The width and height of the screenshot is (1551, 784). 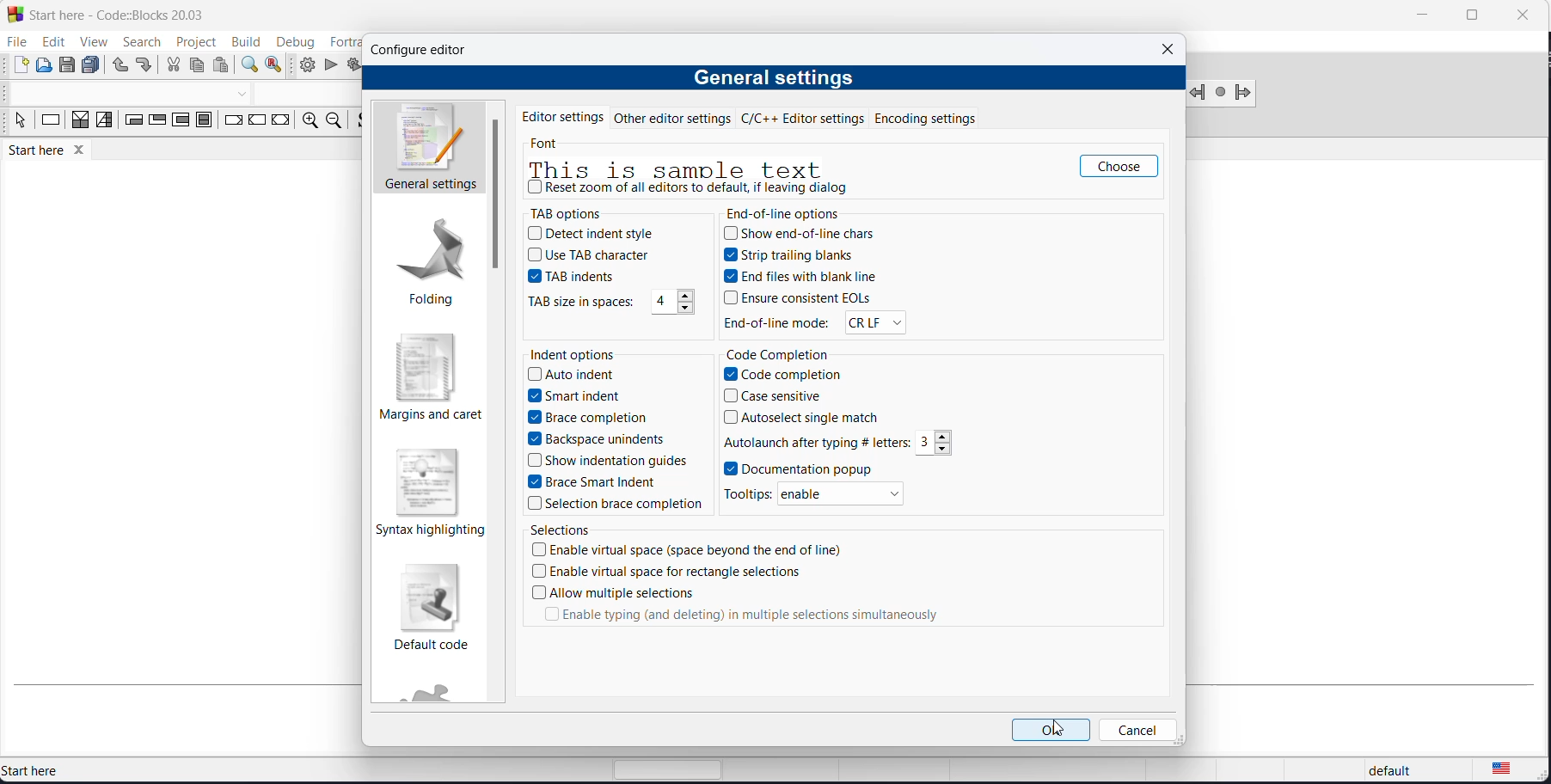 What do you see at coordinates (330, 66) in the screenshot?
I see `run` at bounding box center [330, 66].